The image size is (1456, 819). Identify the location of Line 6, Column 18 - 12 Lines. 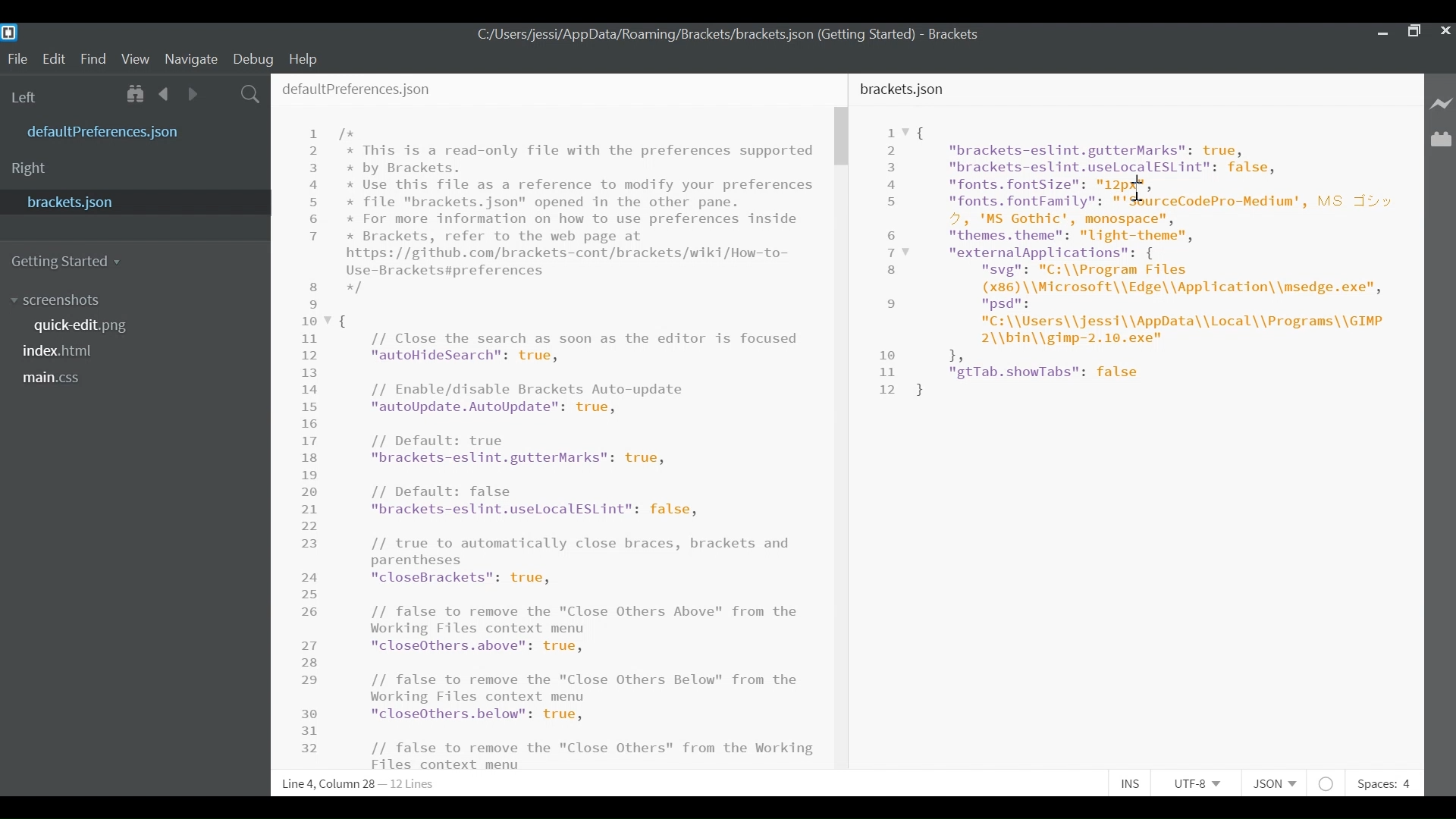
(361, 784).